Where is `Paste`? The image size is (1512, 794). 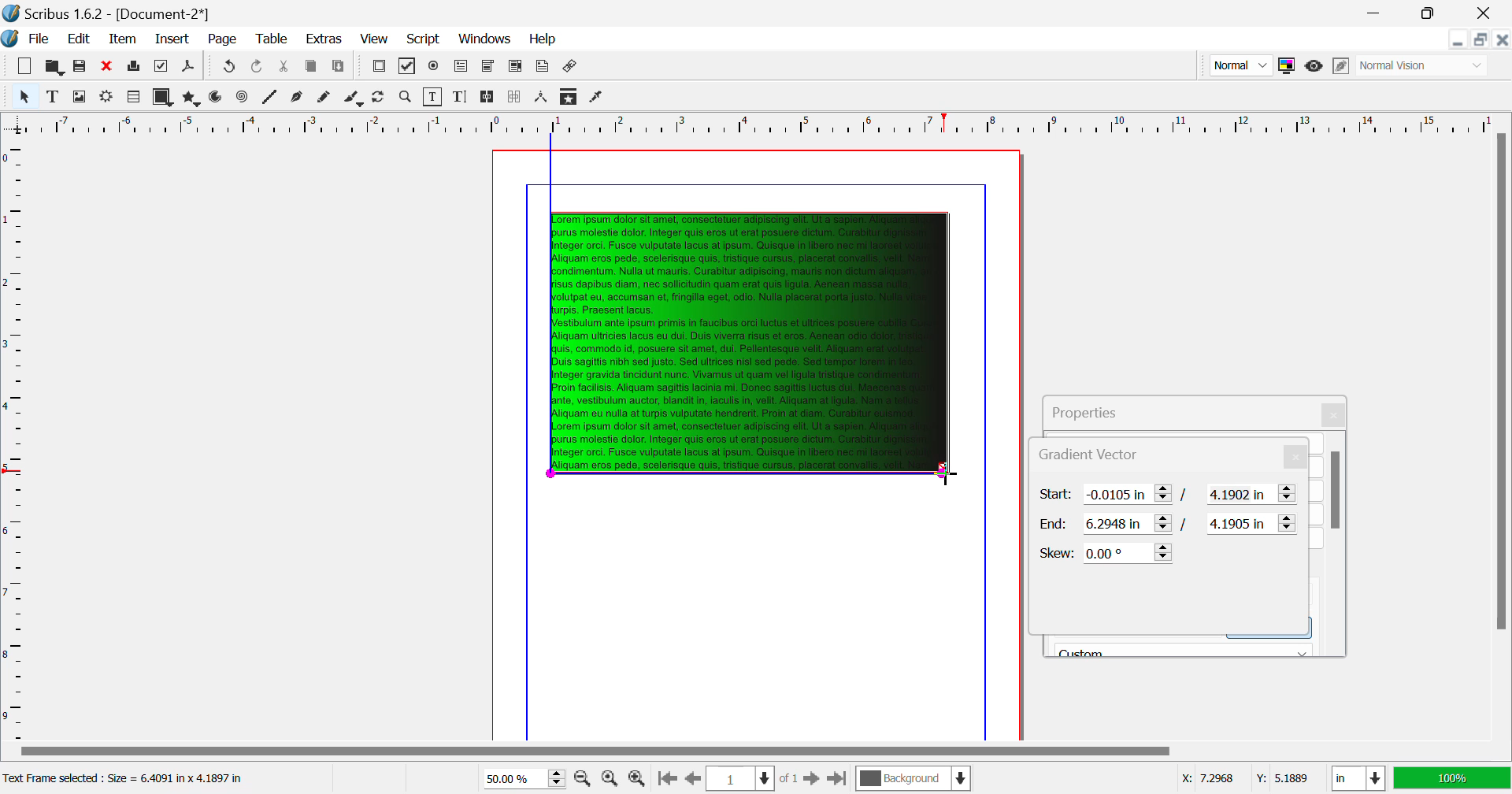 Paste is located at coordinates (340, 69).